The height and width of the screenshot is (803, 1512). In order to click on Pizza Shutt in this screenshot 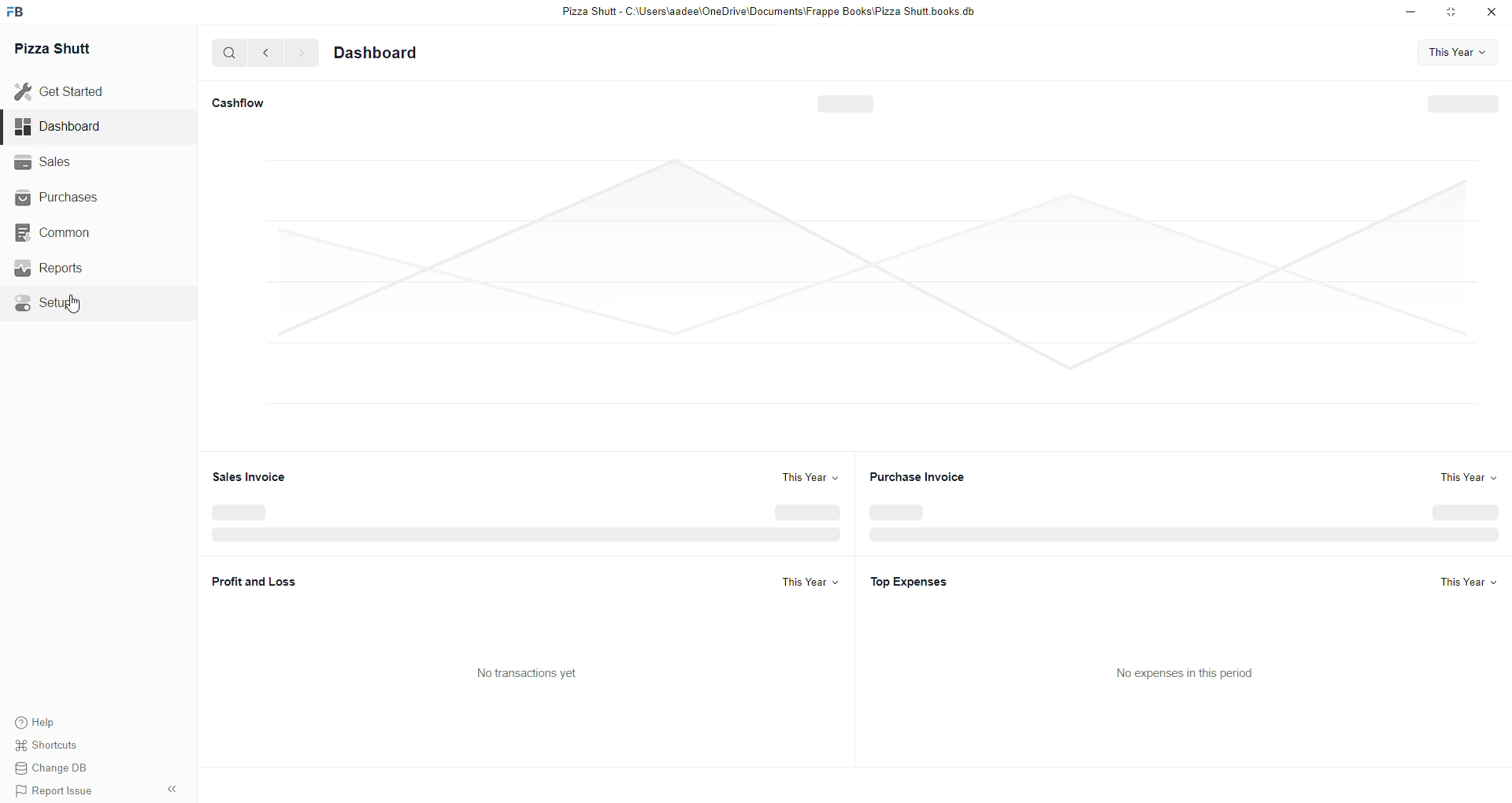, I will do `click(73, 51)`.